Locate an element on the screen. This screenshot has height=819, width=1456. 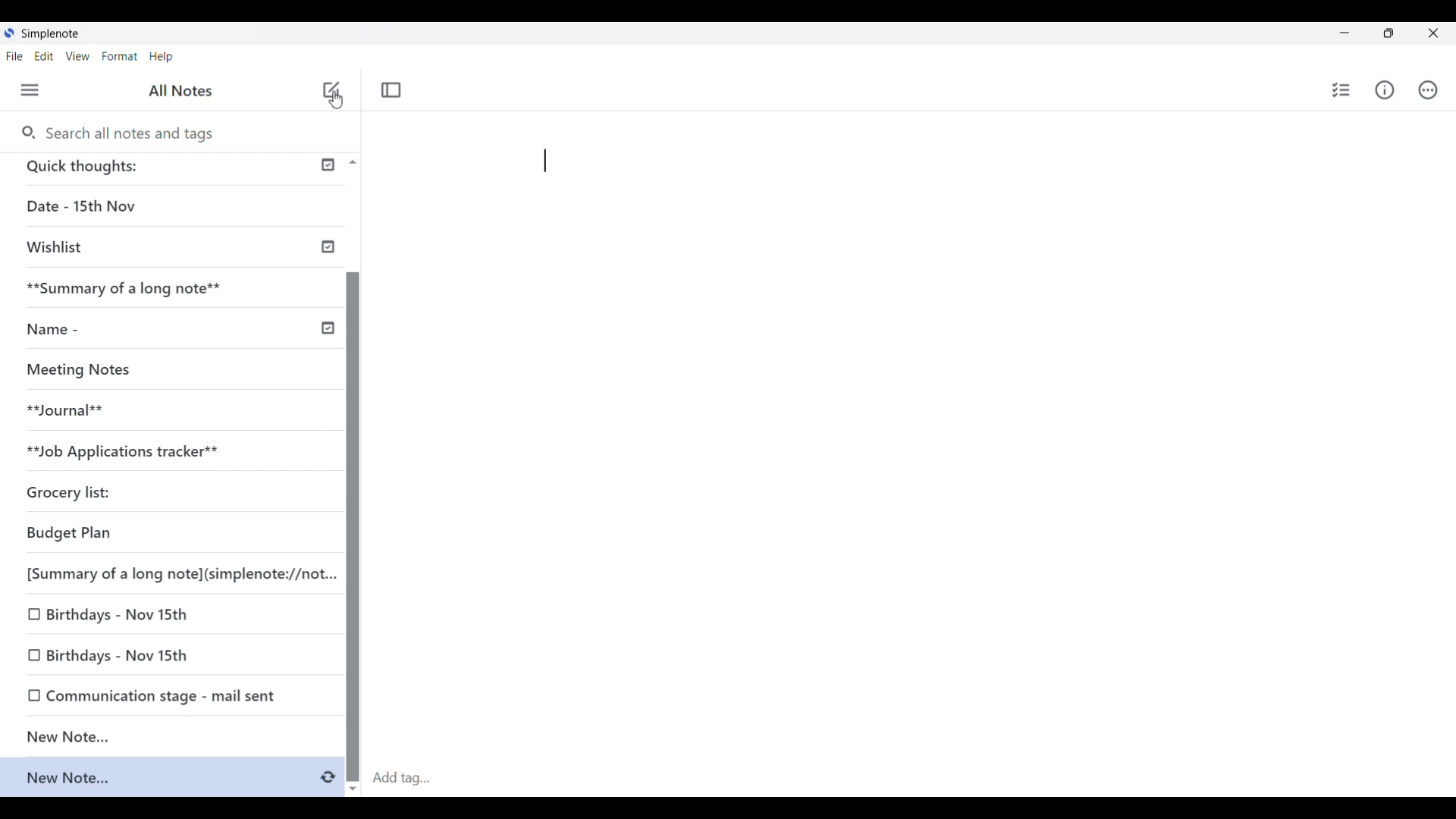
Edit menu is located at coordinates (45, 56).